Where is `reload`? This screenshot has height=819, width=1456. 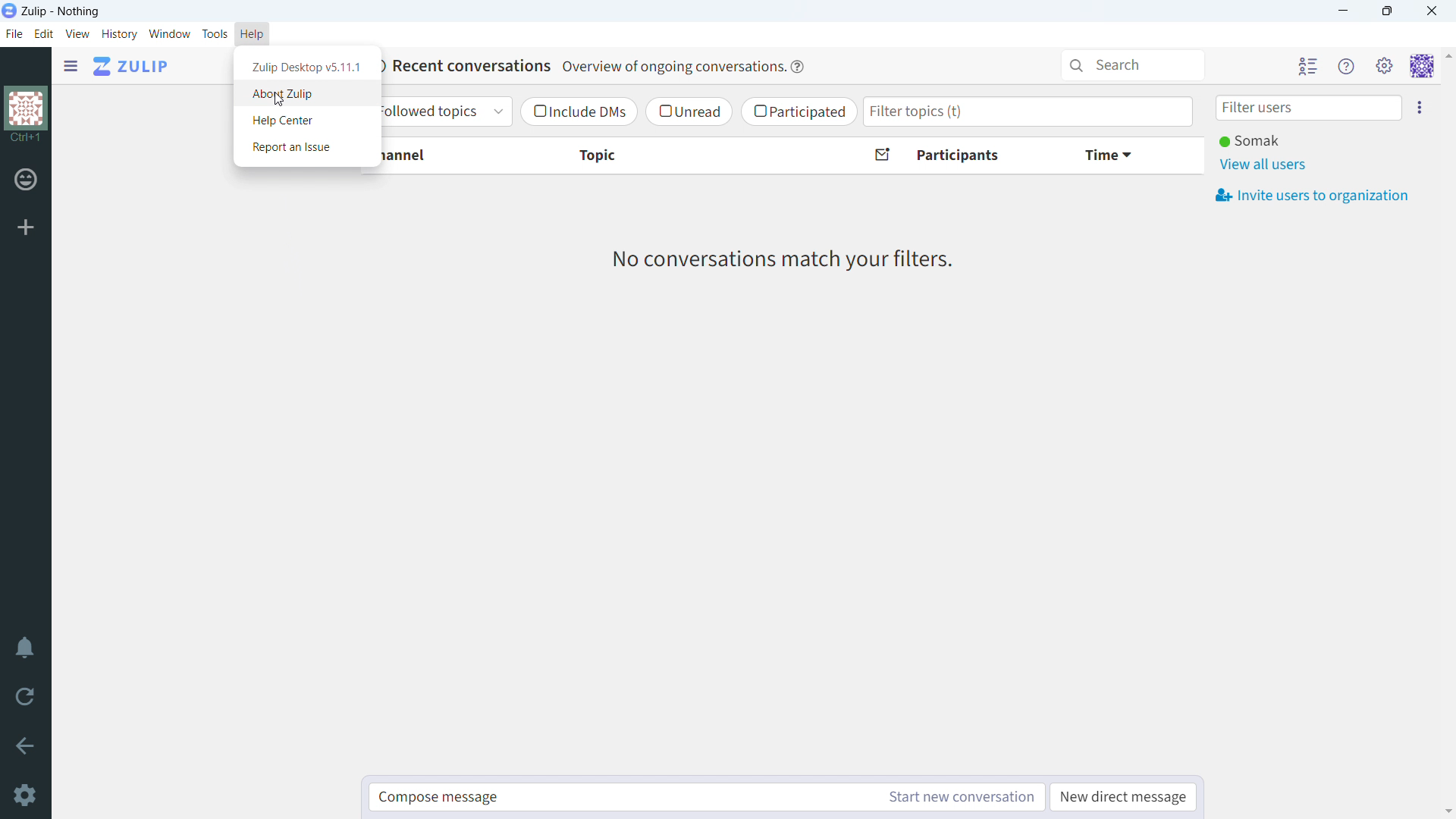 reload is located at coordinates (24, 695).